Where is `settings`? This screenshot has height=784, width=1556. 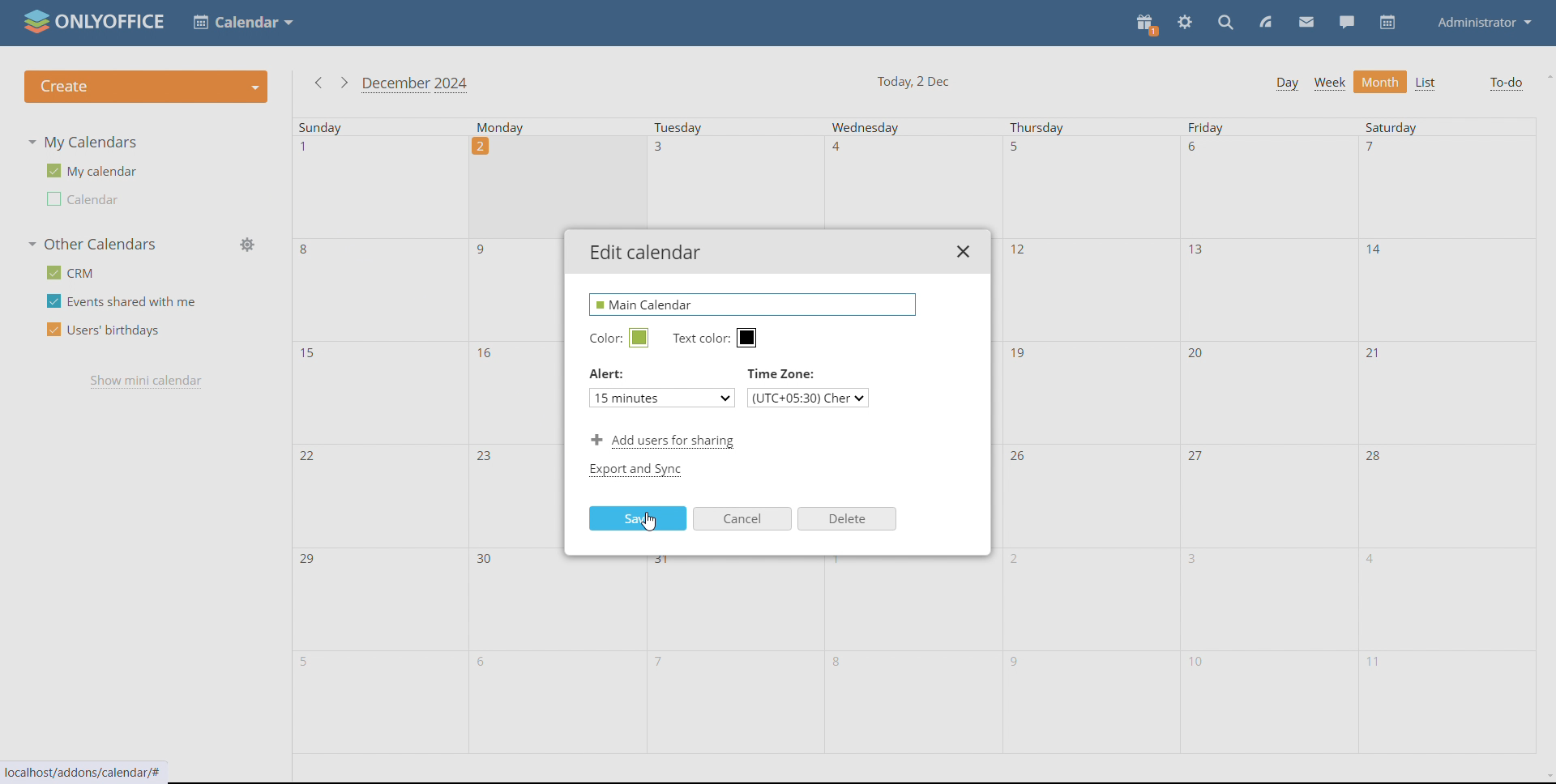
settings is located at coordinates (1188, 25).